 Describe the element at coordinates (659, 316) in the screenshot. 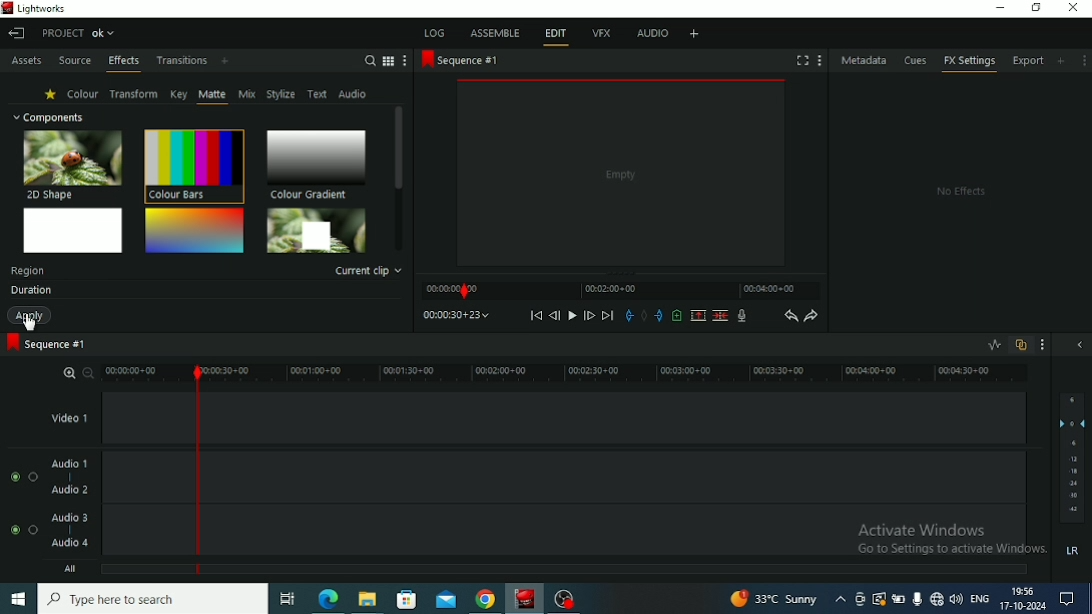

I see `Add an out mark at current position` at that location.